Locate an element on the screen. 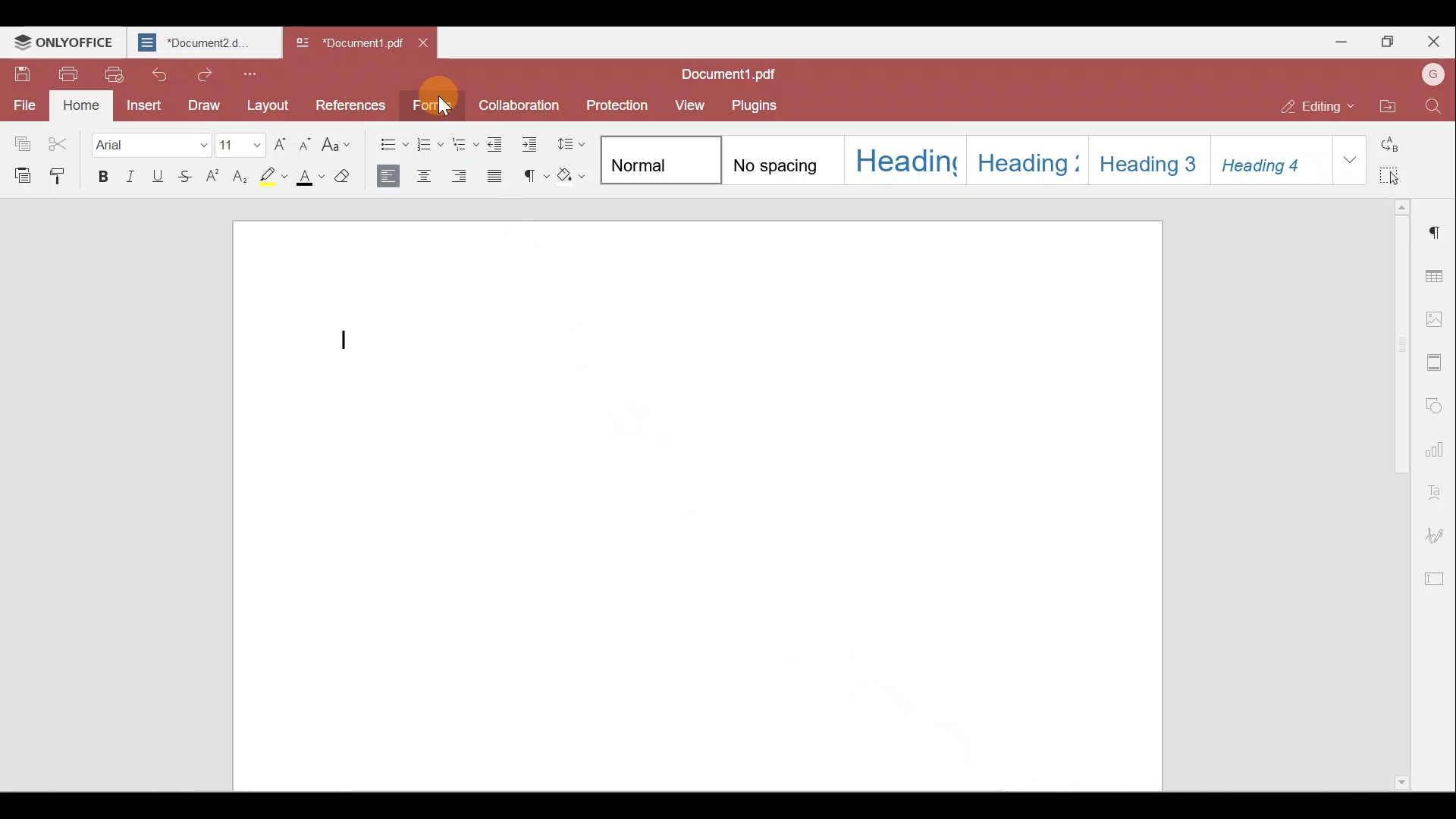 The image size is (1456, 819). Heading is located at coordinates (905, 160).